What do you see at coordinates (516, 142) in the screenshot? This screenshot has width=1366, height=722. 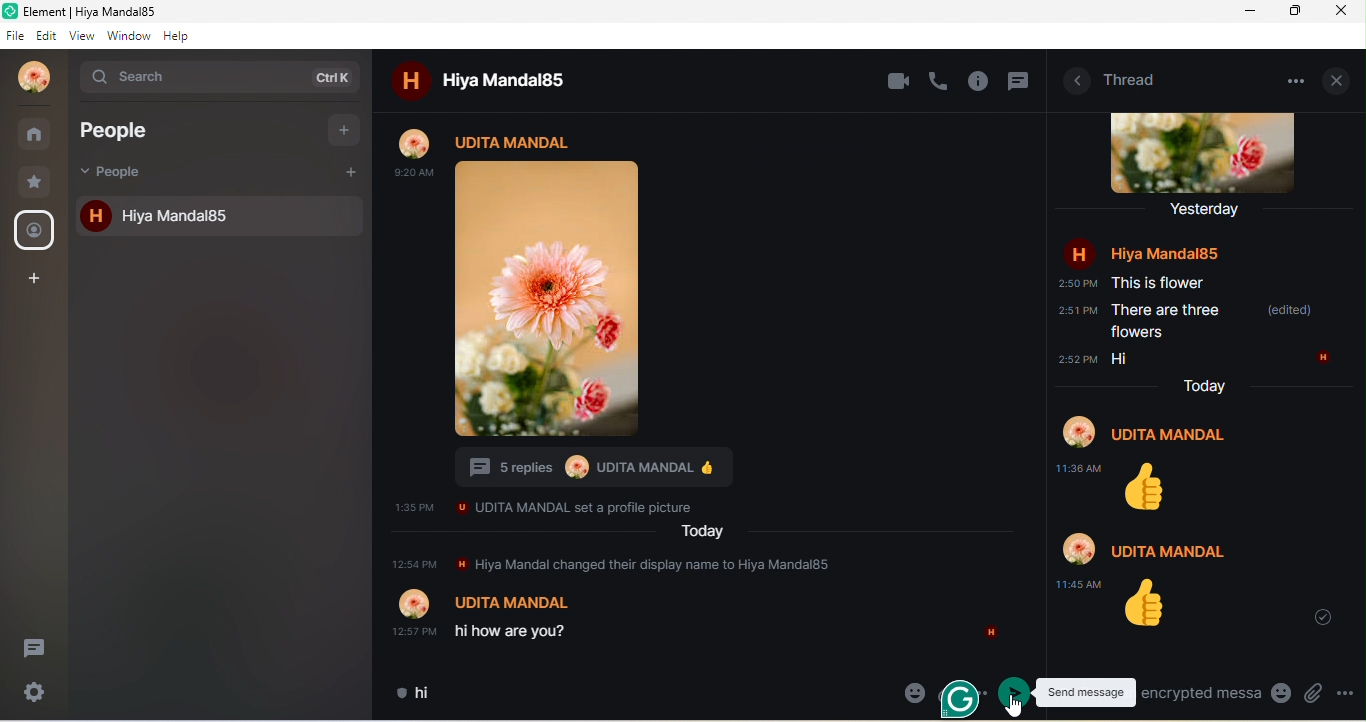 I see `Udita mandal` at bounding box center [516, 142].